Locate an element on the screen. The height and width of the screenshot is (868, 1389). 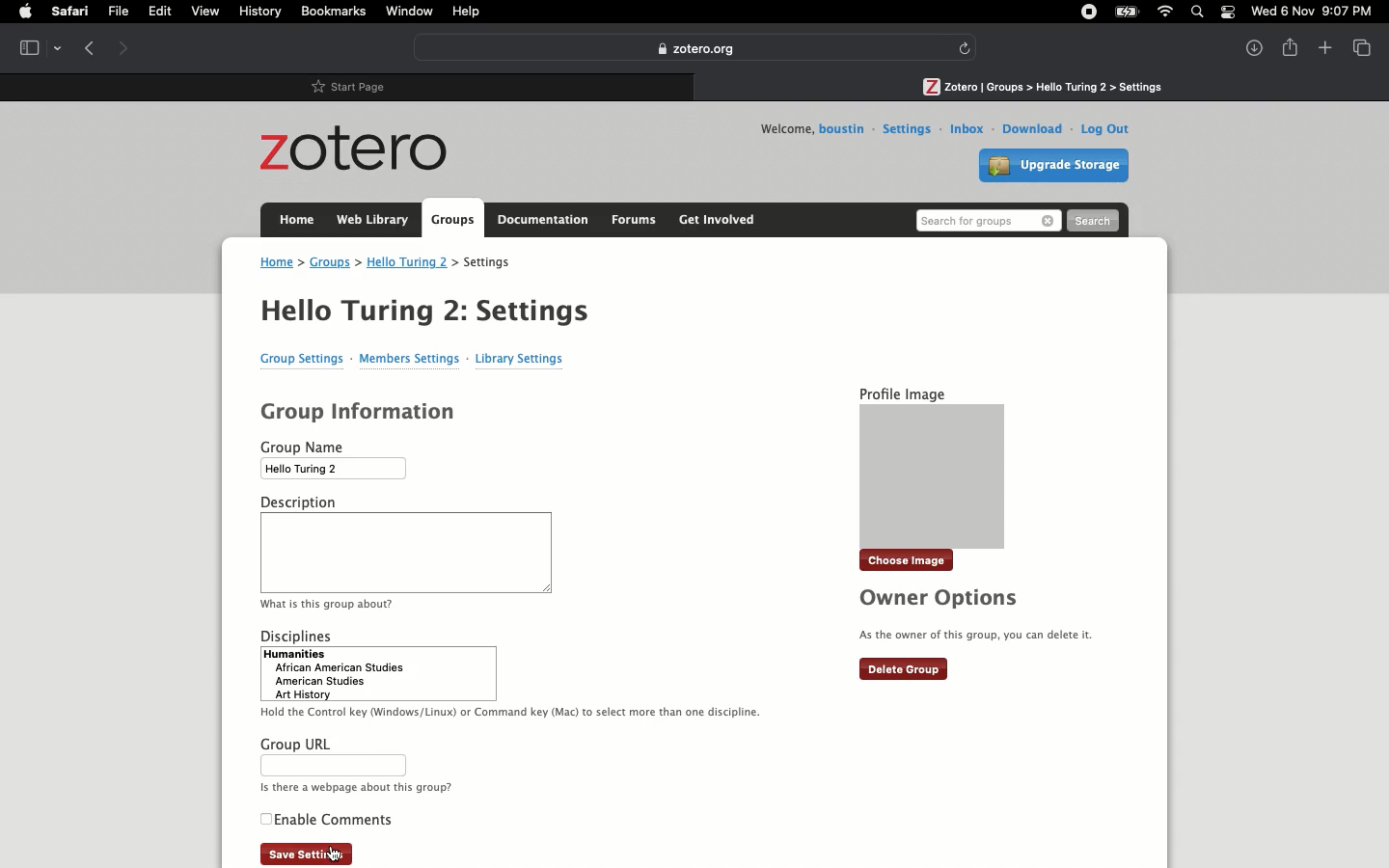
Welcome is located at coordinates (781, 128).